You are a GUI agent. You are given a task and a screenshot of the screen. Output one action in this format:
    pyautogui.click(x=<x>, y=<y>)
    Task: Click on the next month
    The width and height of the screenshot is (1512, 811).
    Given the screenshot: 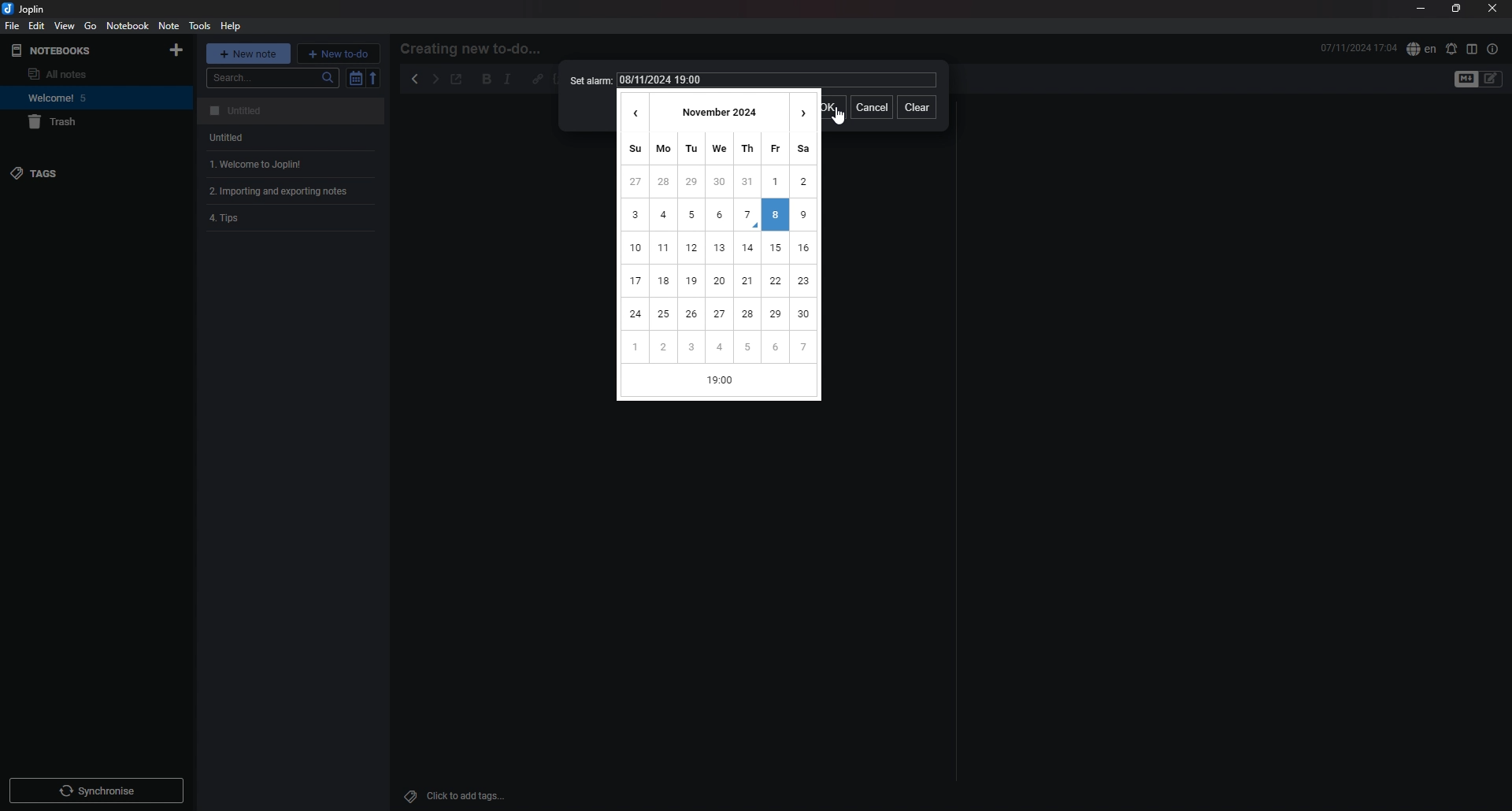 What is the action you would take?
    pyautogui.click(x=804, y=110)
    